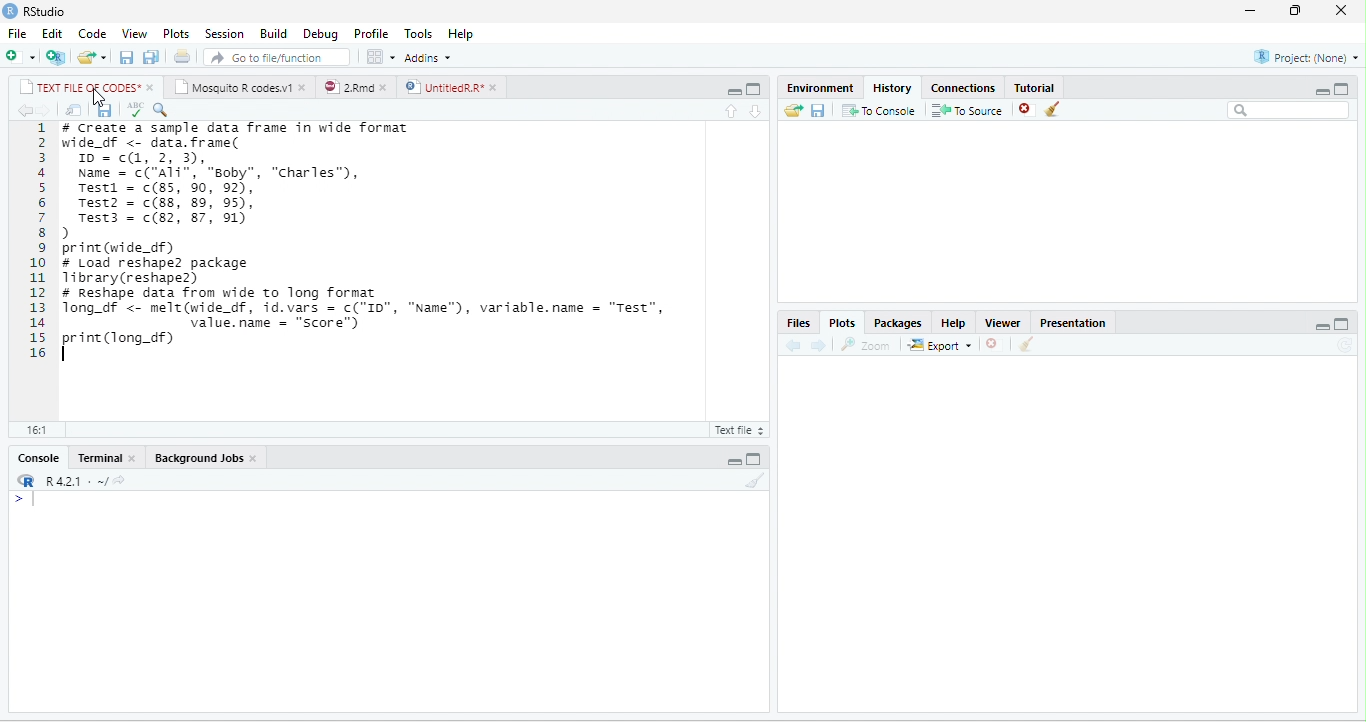 The width and height of the screenshot is (1366, 722). What do you see at coordinates (1034, 87) in the screenshot?
I see `Tutorial` at bounding box center [1034, 87].